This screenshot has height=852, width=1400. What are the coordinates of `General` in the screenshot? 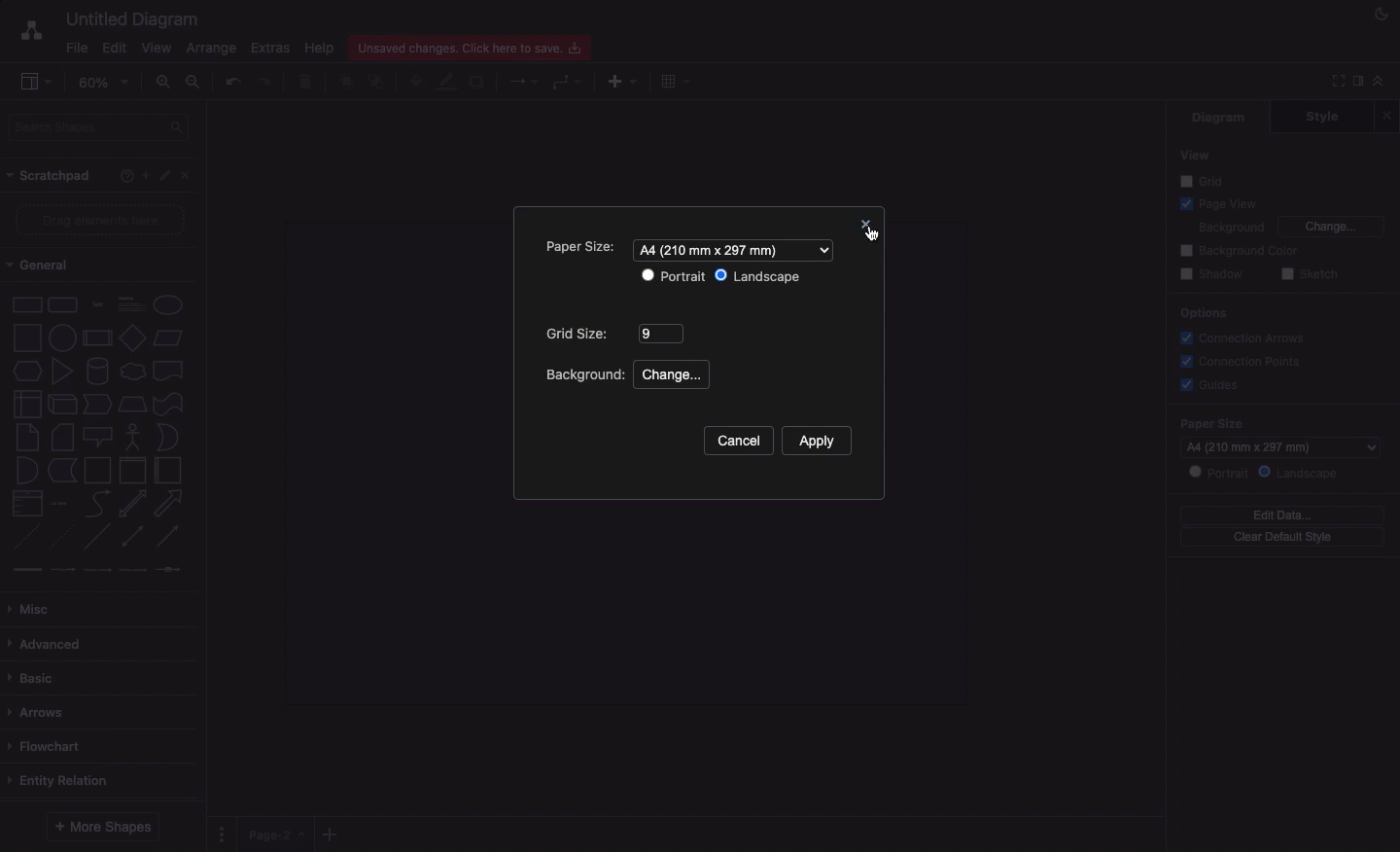 It's located at (47, 265).